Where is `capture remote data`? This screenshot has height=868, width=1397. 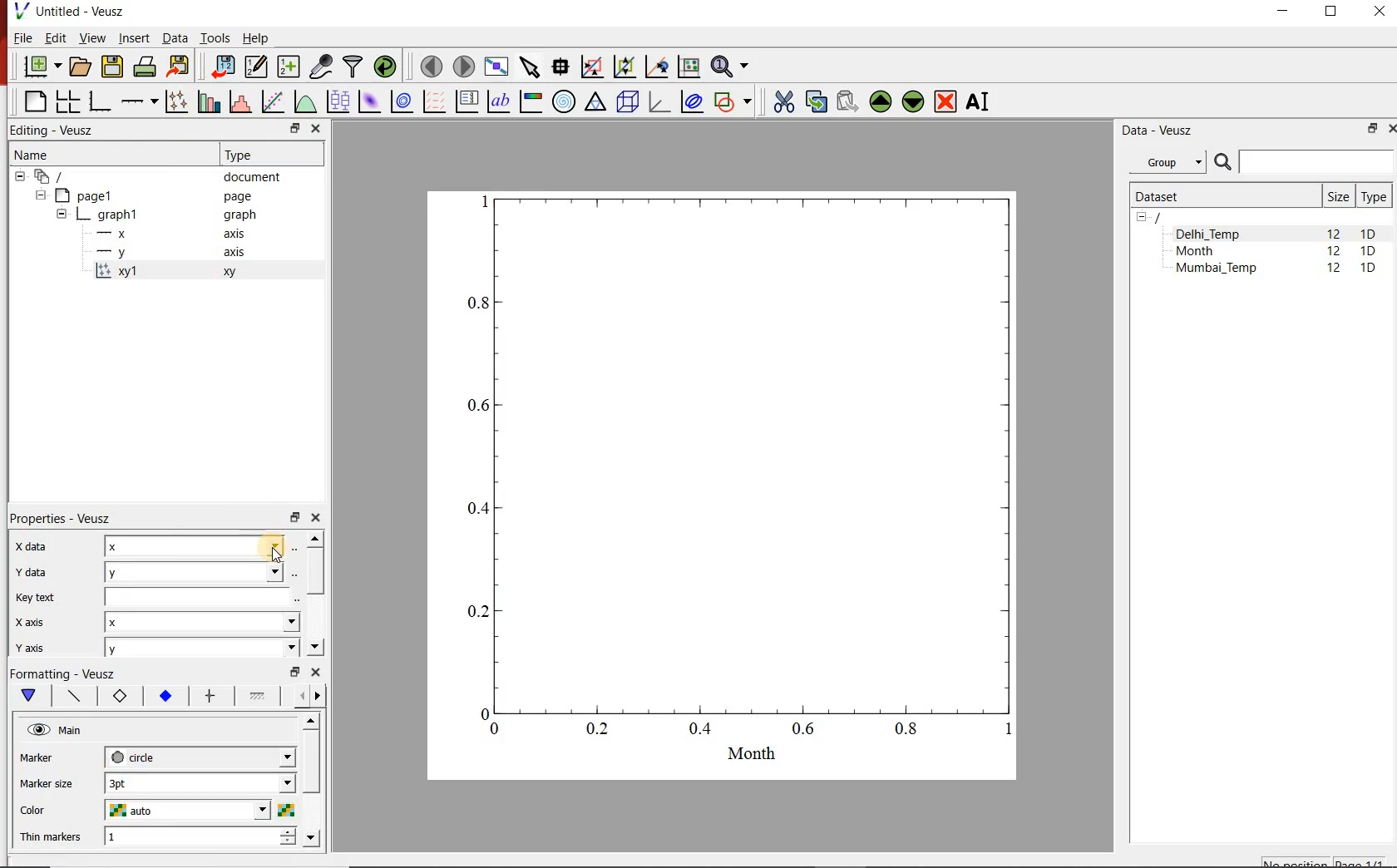
capture remote data is located at coordinates (322, 67).